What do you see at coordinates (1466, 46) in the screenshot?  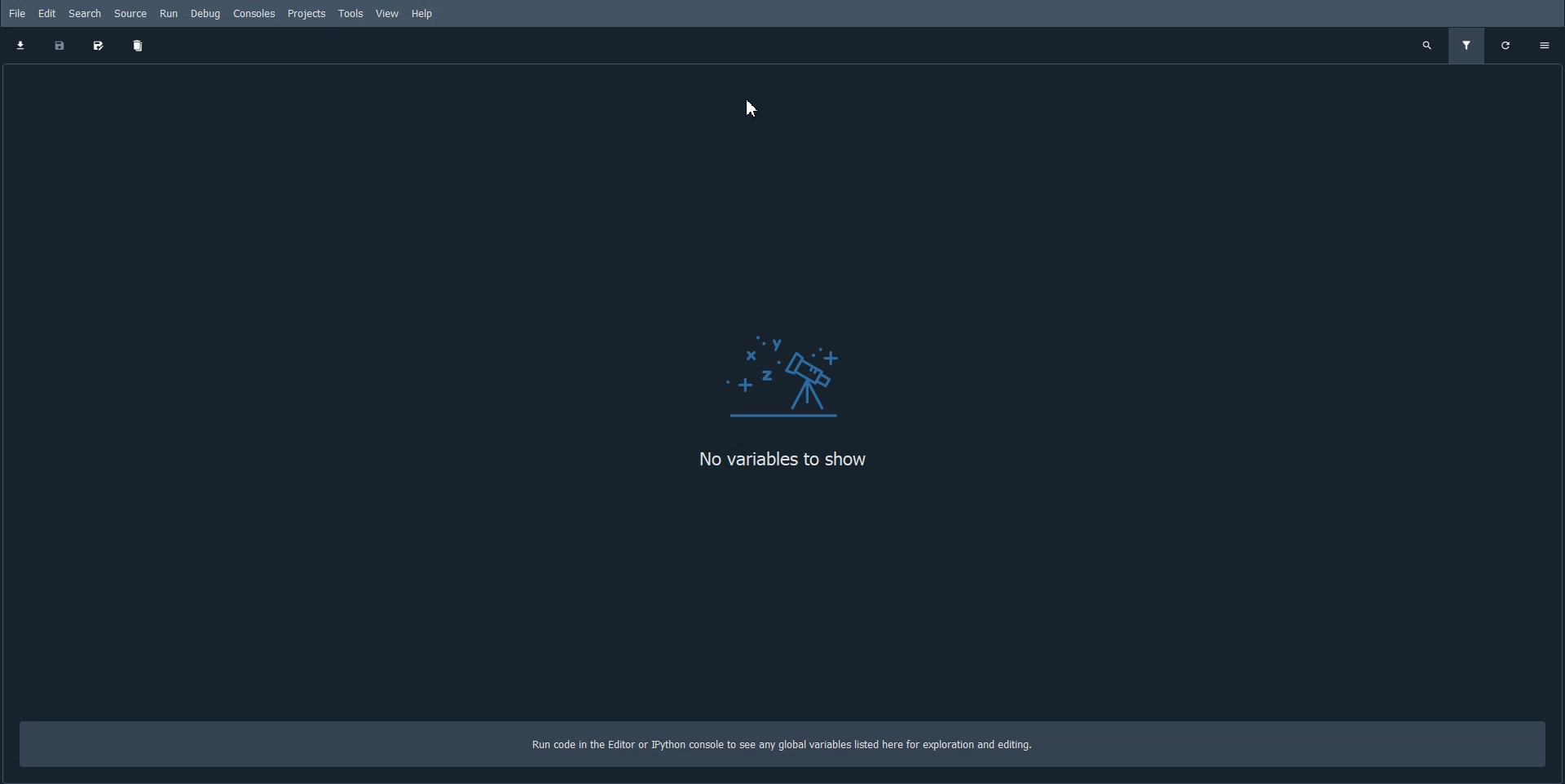 I see `Filters variables` at bounding box center [1466, 46].